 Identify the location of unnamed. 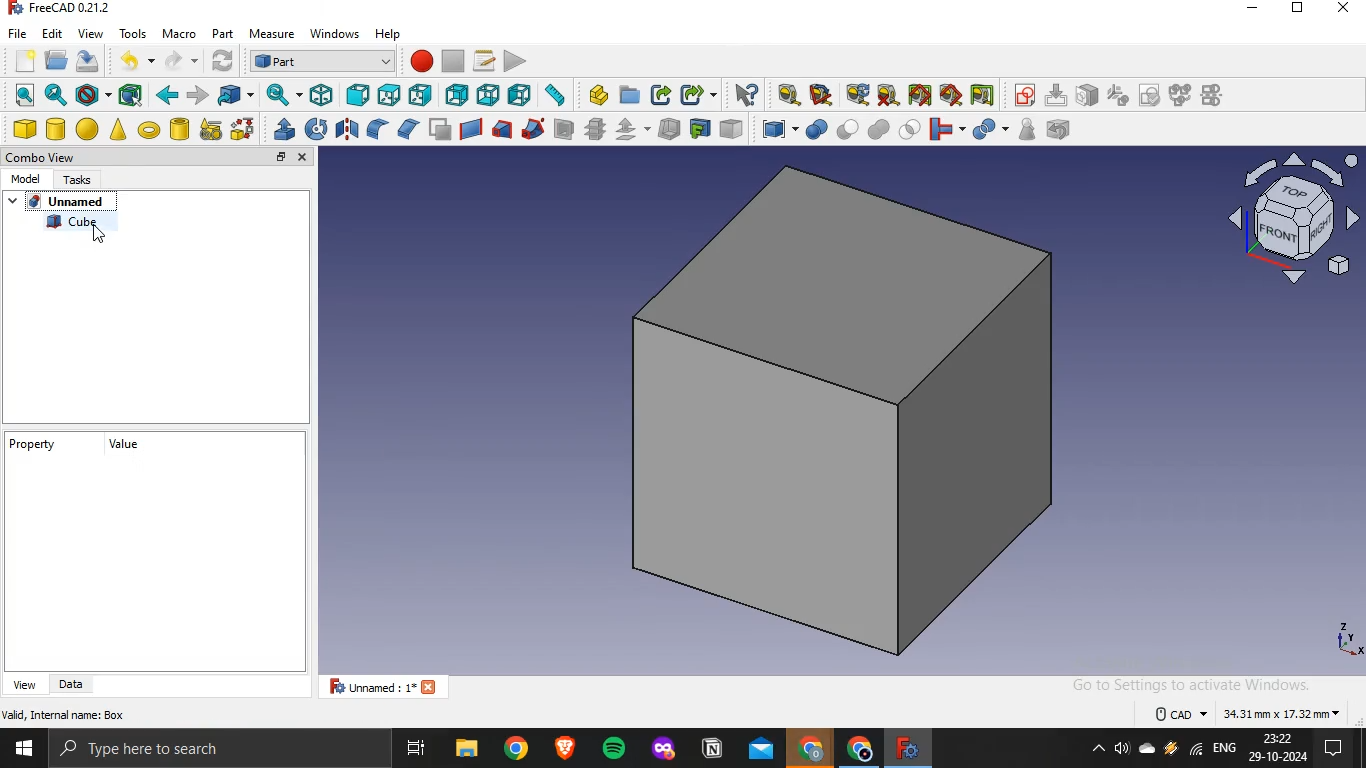
(71, 202).